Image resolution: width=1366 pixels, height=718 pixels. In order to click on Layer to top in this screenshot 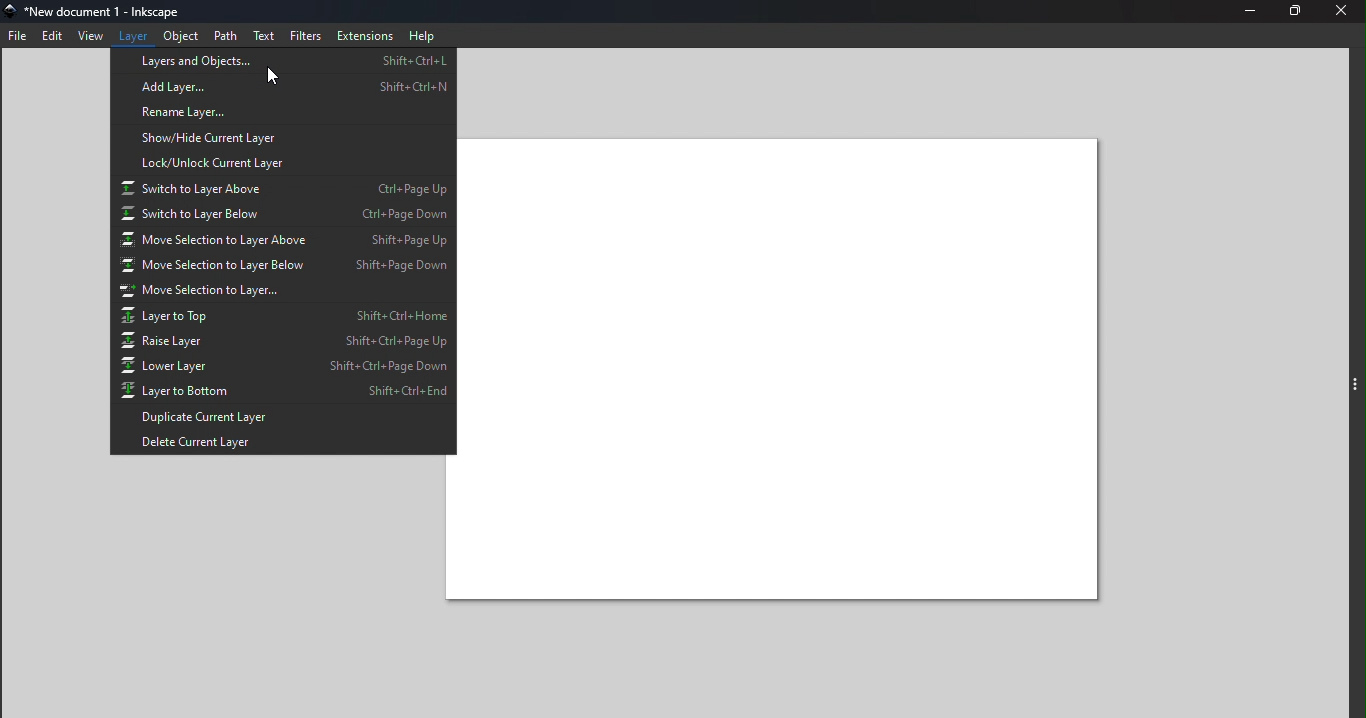, I will do `click(281, 316)`.